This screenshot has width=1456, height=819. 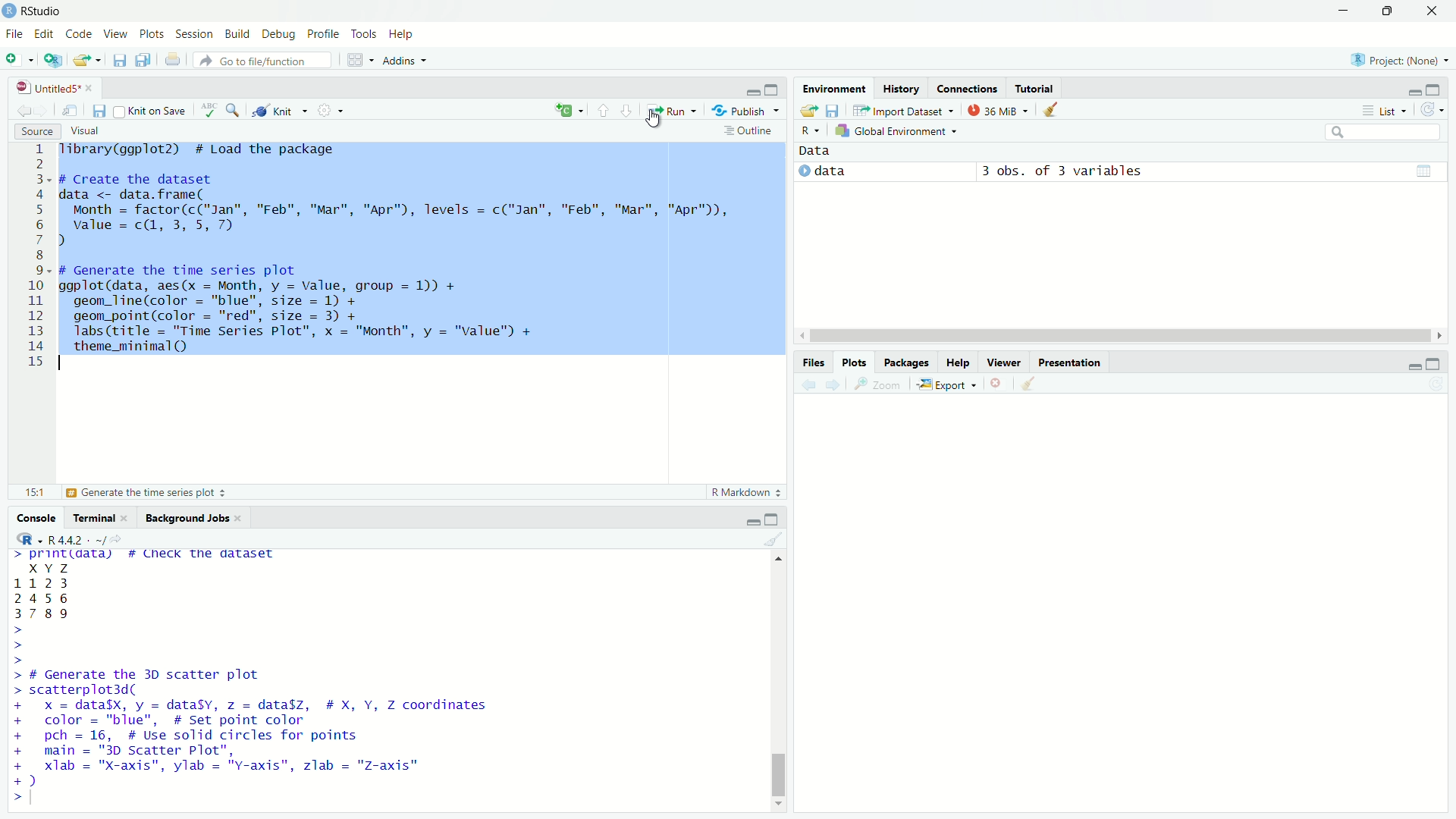 I want to click on save current document, so click(x=100, y=110).